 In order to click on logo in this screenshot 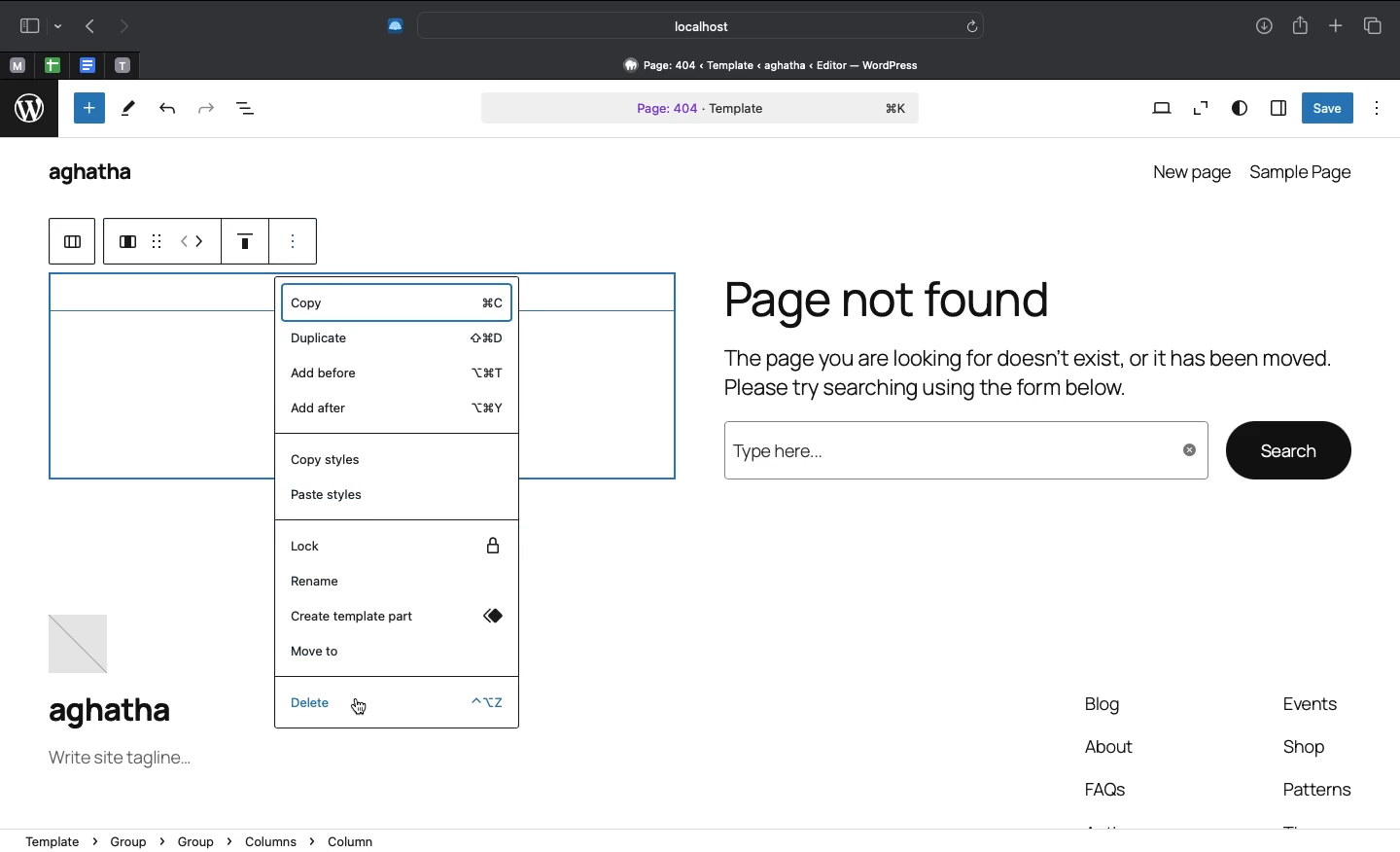, I will do `click(28, 110)`.